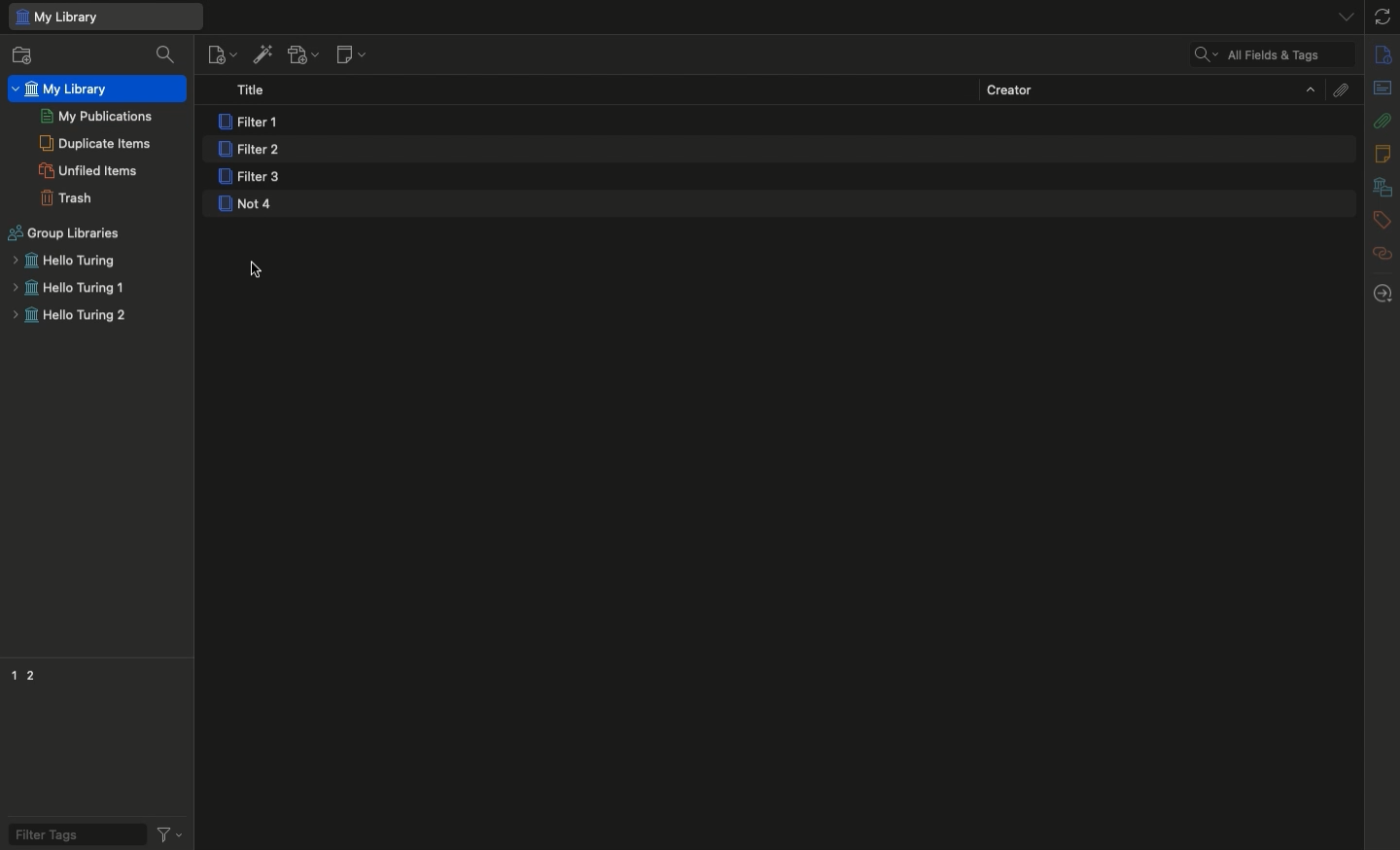 This screenshot has width=1400, height=850. What do you see at coordinates (40, 673) in the screenshot?
I see `Tag 2` at bounding box center [40, 673].